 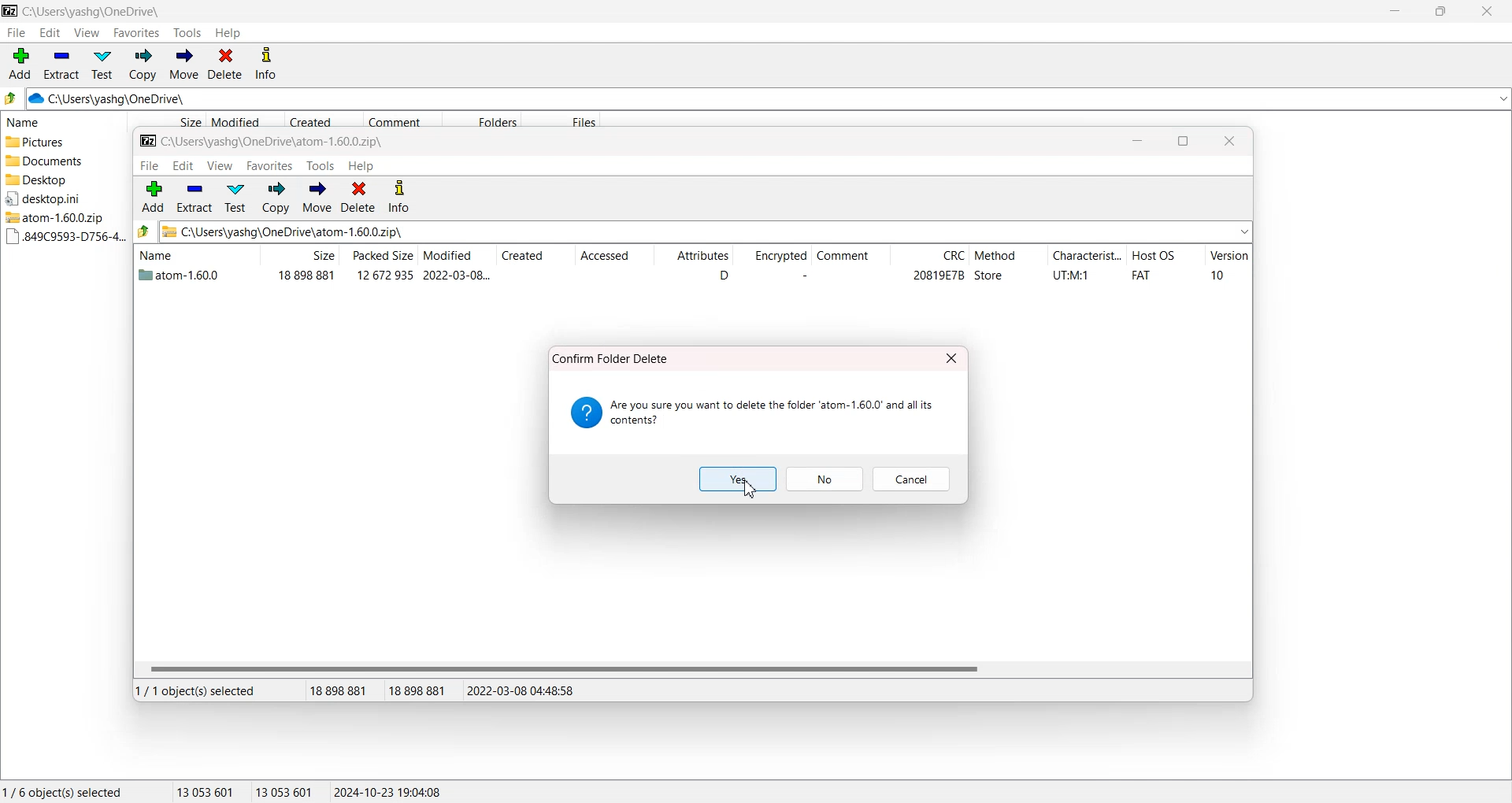 What do you see at coordinates (1228, 257) in the screenshot?
I see `Version` at bounding box center [1228, 257].